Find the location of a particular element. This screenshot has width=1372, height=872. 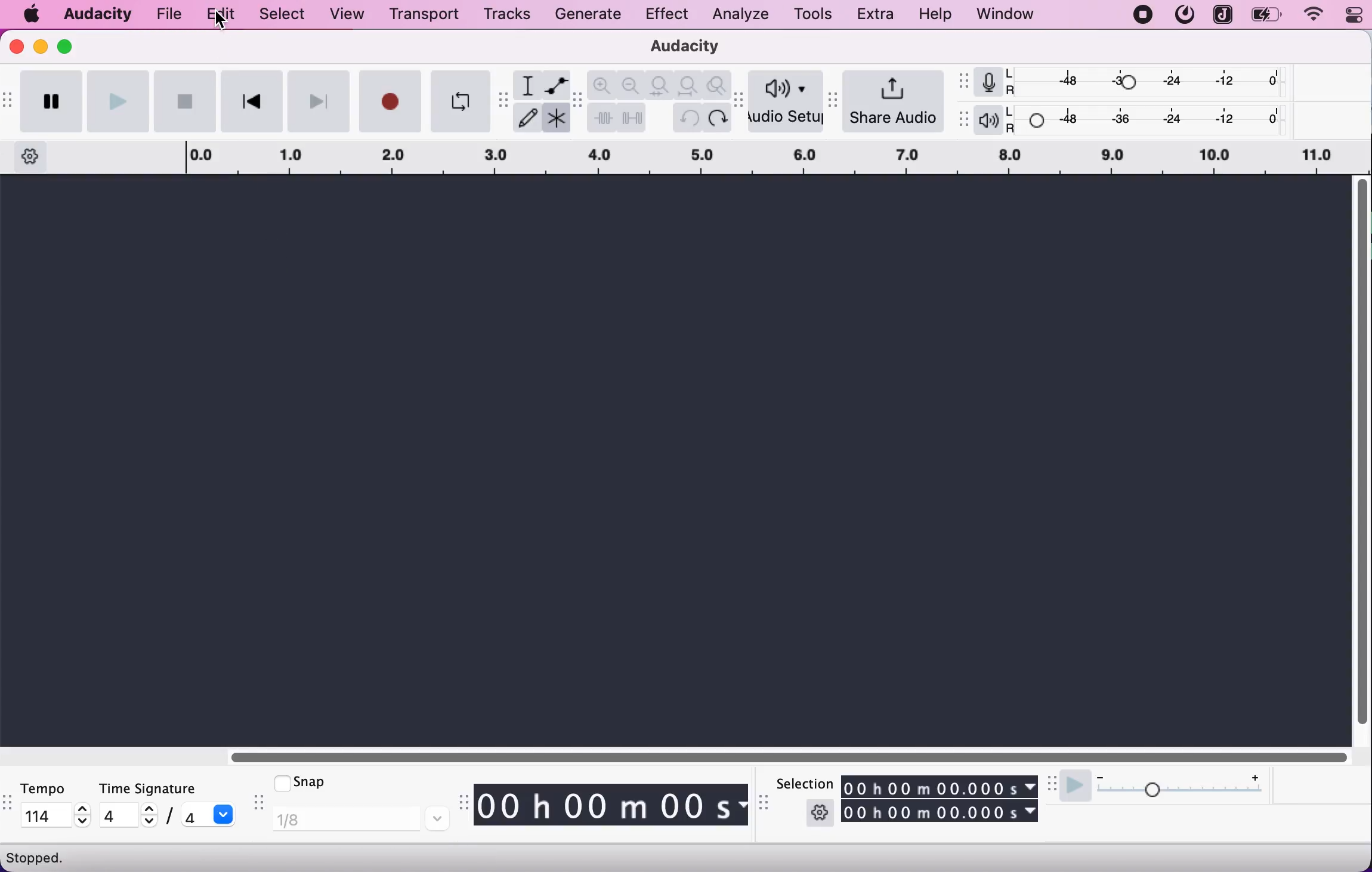

selection is located at coordinates (803, 783).